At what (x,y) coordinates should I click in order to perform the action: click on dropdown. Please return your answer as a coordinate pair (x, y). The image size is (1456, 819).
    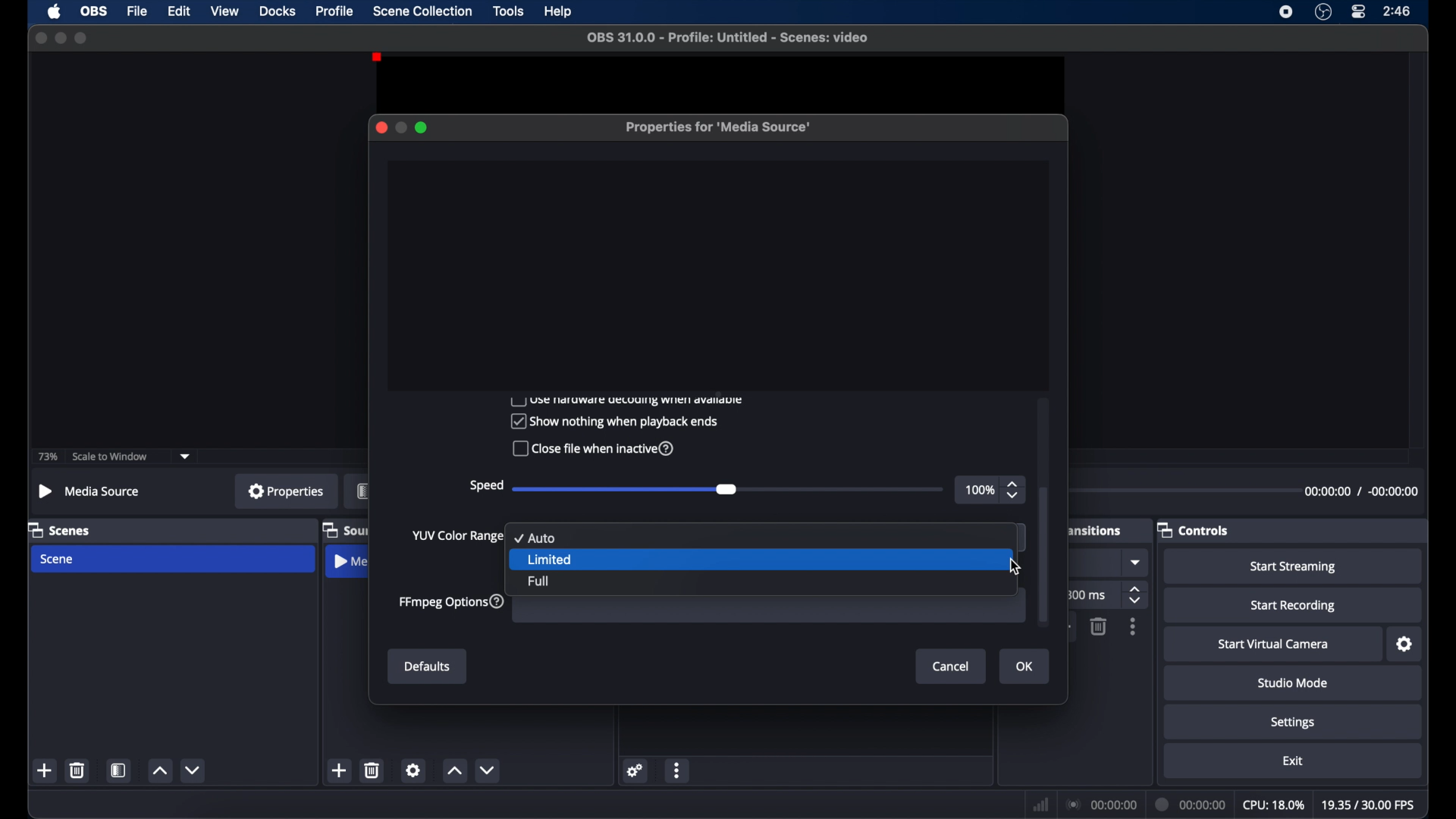
    Looking at the image, I should click on (186, 455).